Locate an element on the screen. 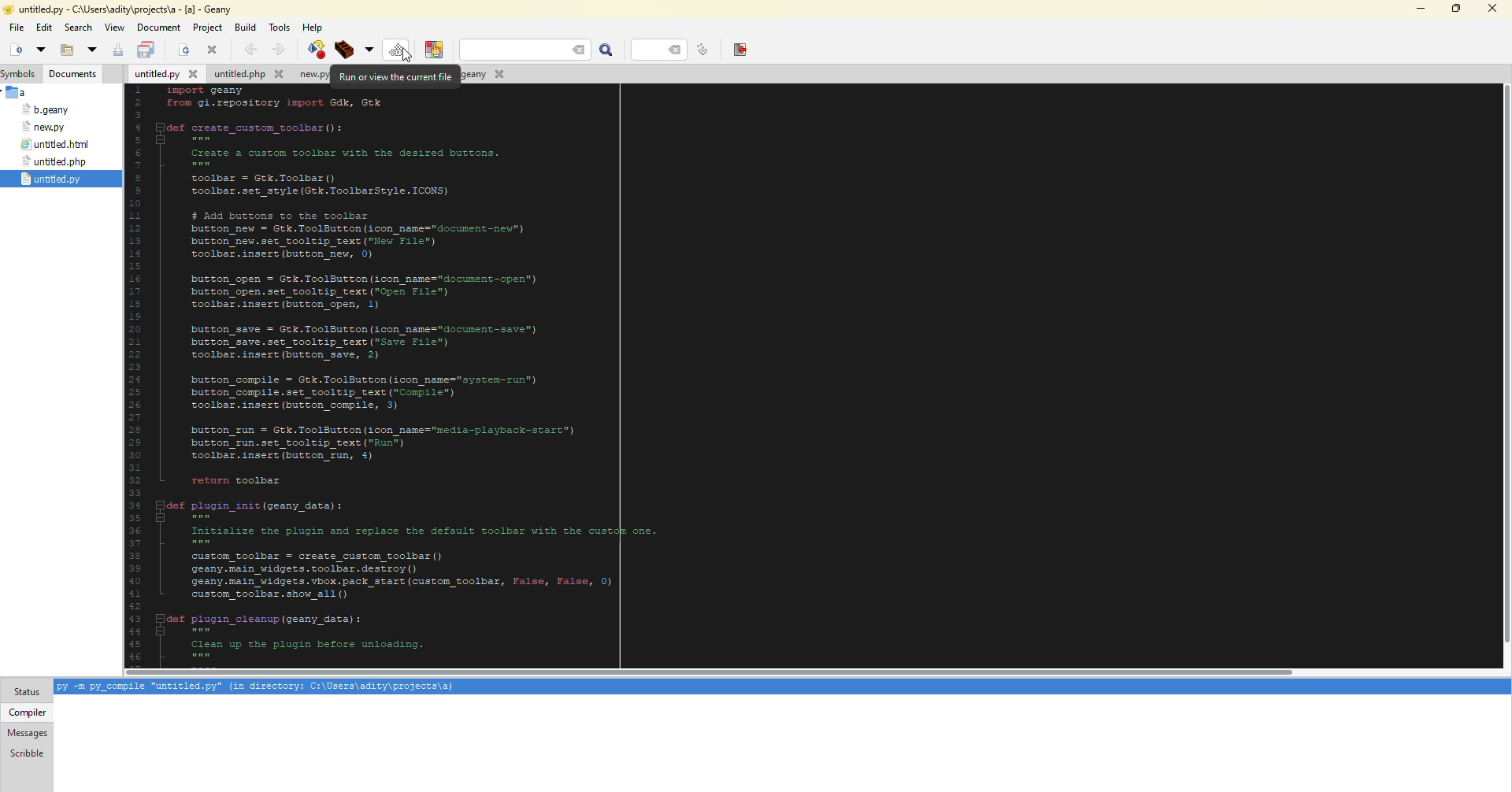  color is located at coordinates (435, 50).